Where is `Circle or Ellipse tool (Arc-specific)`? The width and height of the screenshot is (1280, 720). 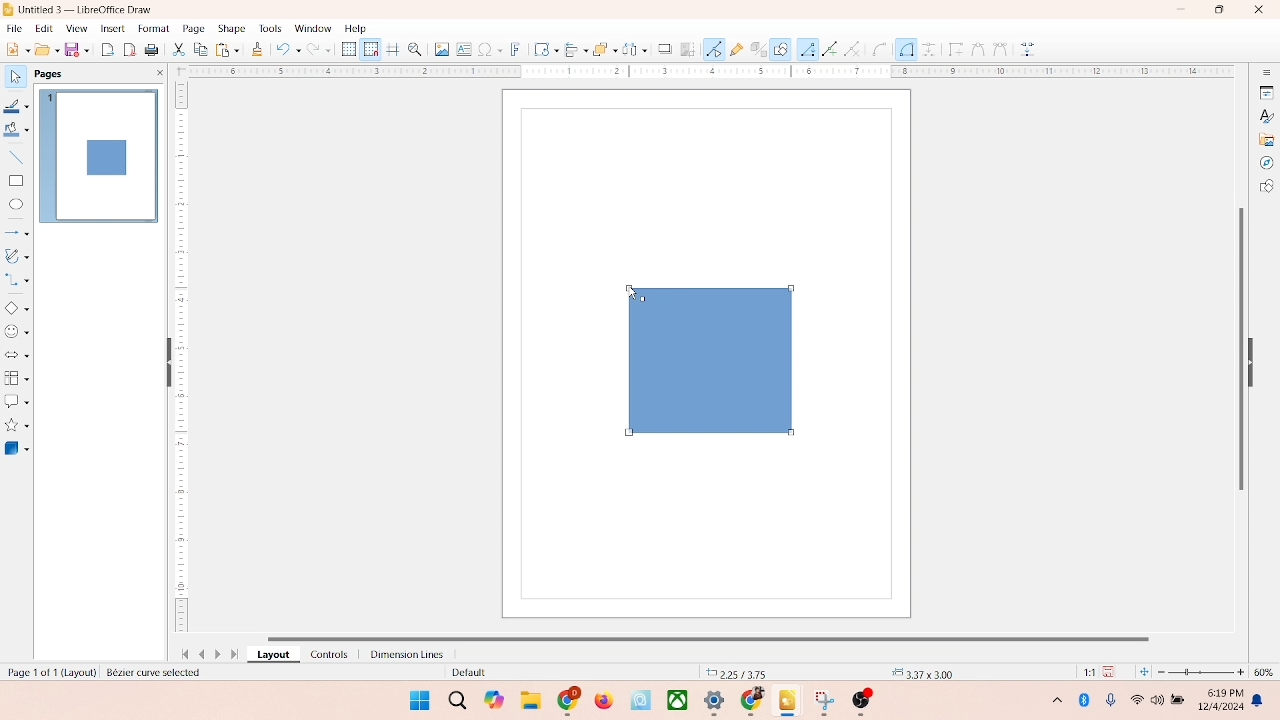 Circle or Ellipse tool (Arc-specific) is located at coordinates (880, 50).